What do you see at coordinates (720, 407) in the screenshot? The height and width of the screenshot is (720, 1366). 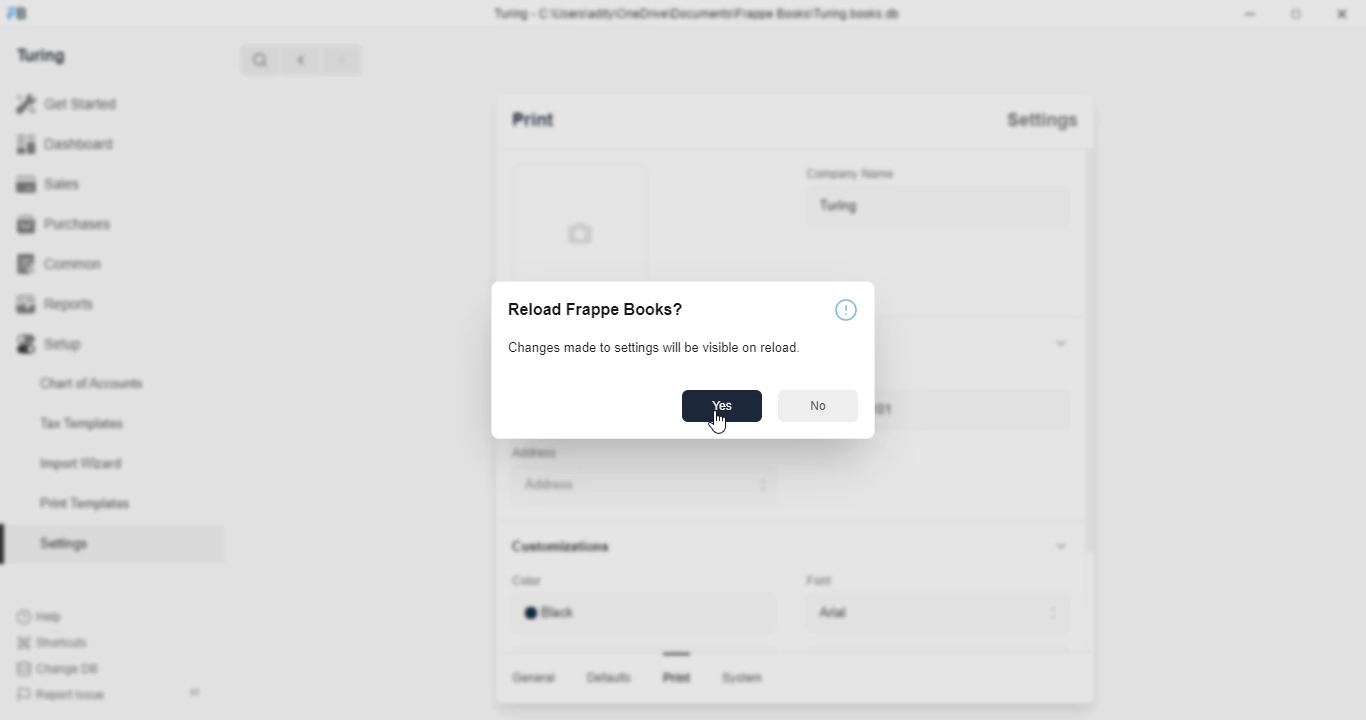 I see `Yes` at bounding box center [720, 407].